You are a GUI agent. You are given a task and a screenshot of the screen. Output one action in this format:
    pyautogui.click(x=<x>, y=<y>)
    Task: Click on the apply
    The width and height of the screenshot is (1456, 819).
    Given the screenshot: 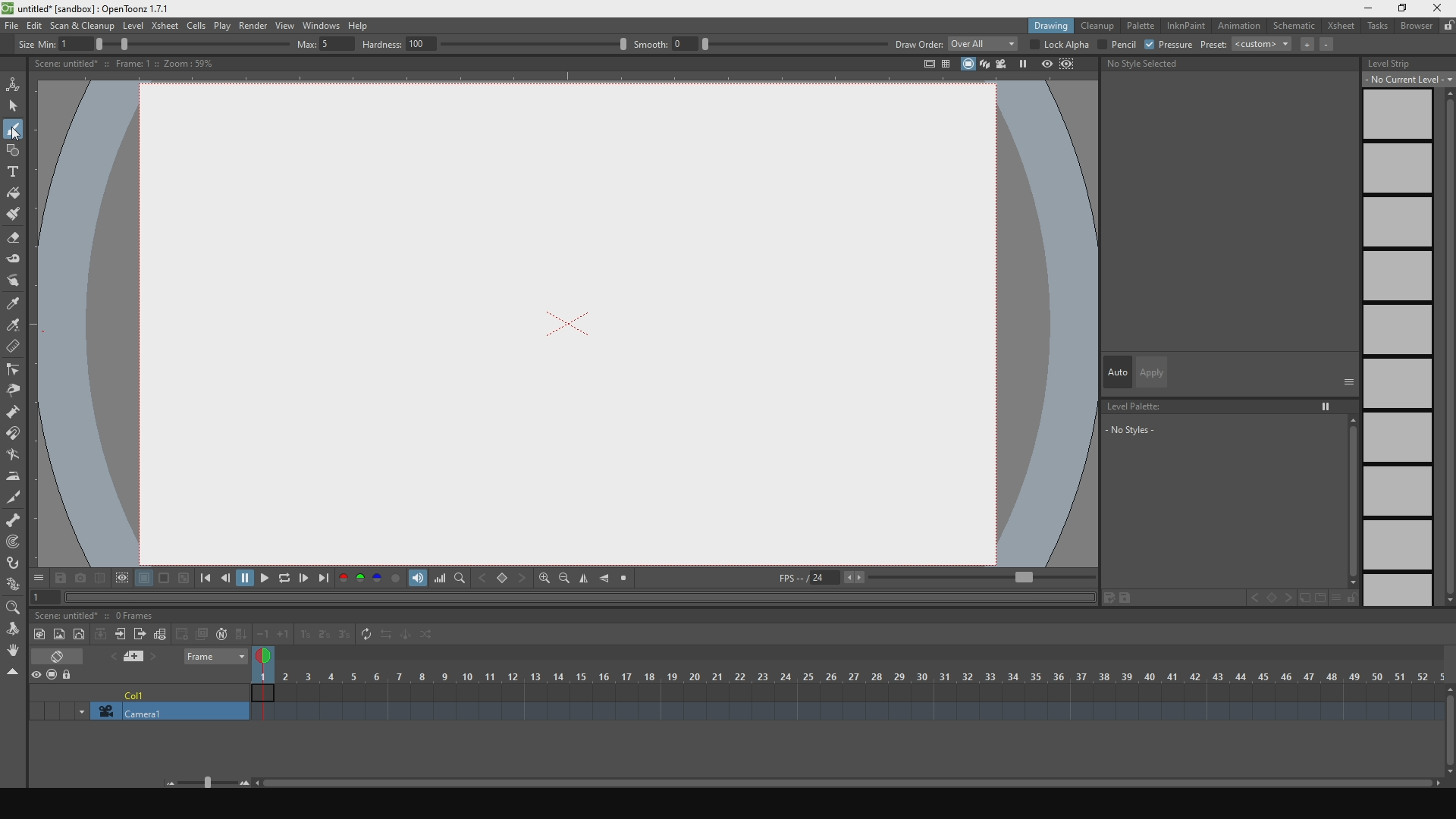 What is the action you would take?
    pyautogui.click(x=1151, y=370)
    